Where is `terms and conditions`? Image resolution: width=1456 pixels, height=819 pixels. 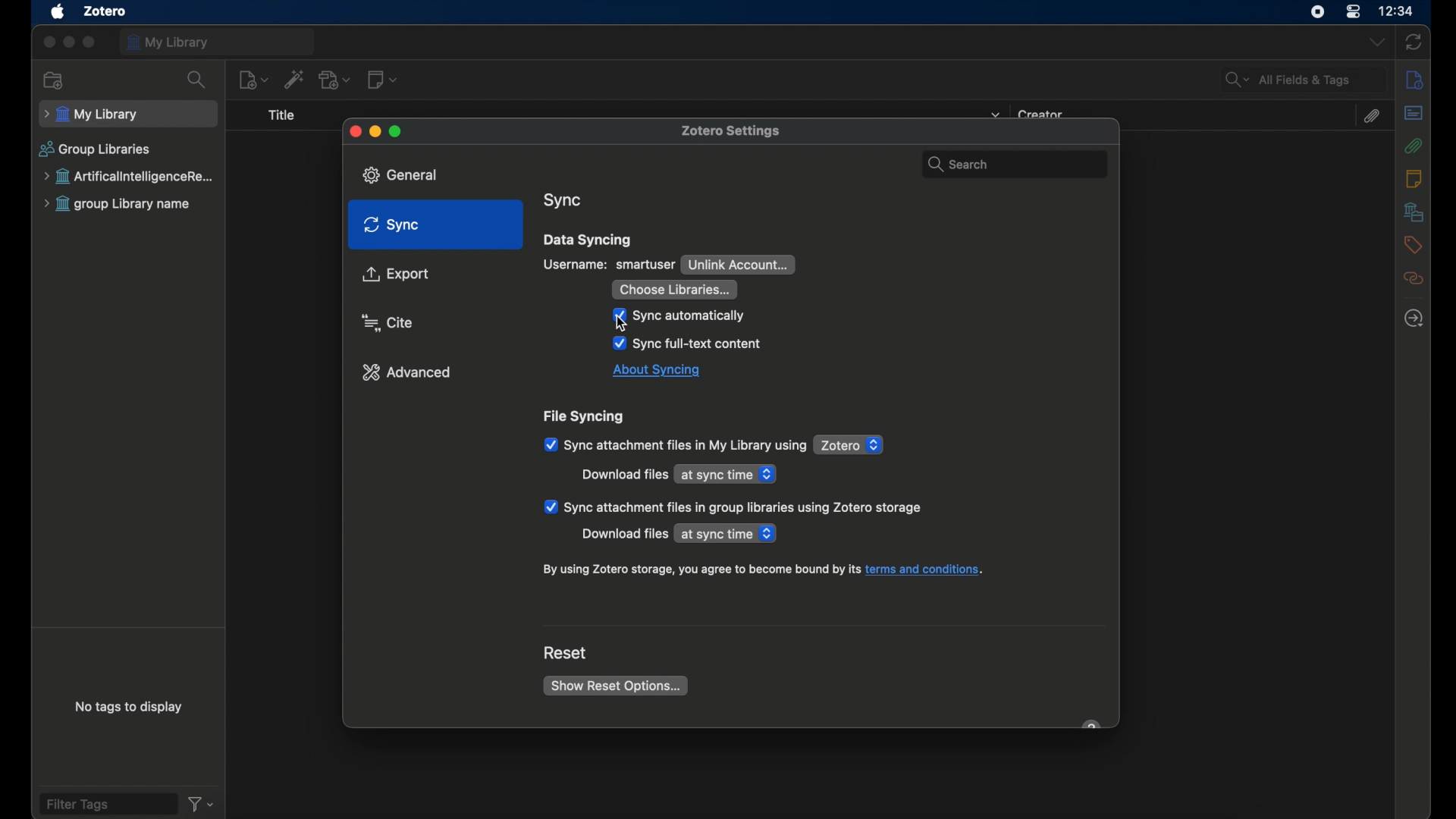
terms and conditions is located at coordinates (764, 570).